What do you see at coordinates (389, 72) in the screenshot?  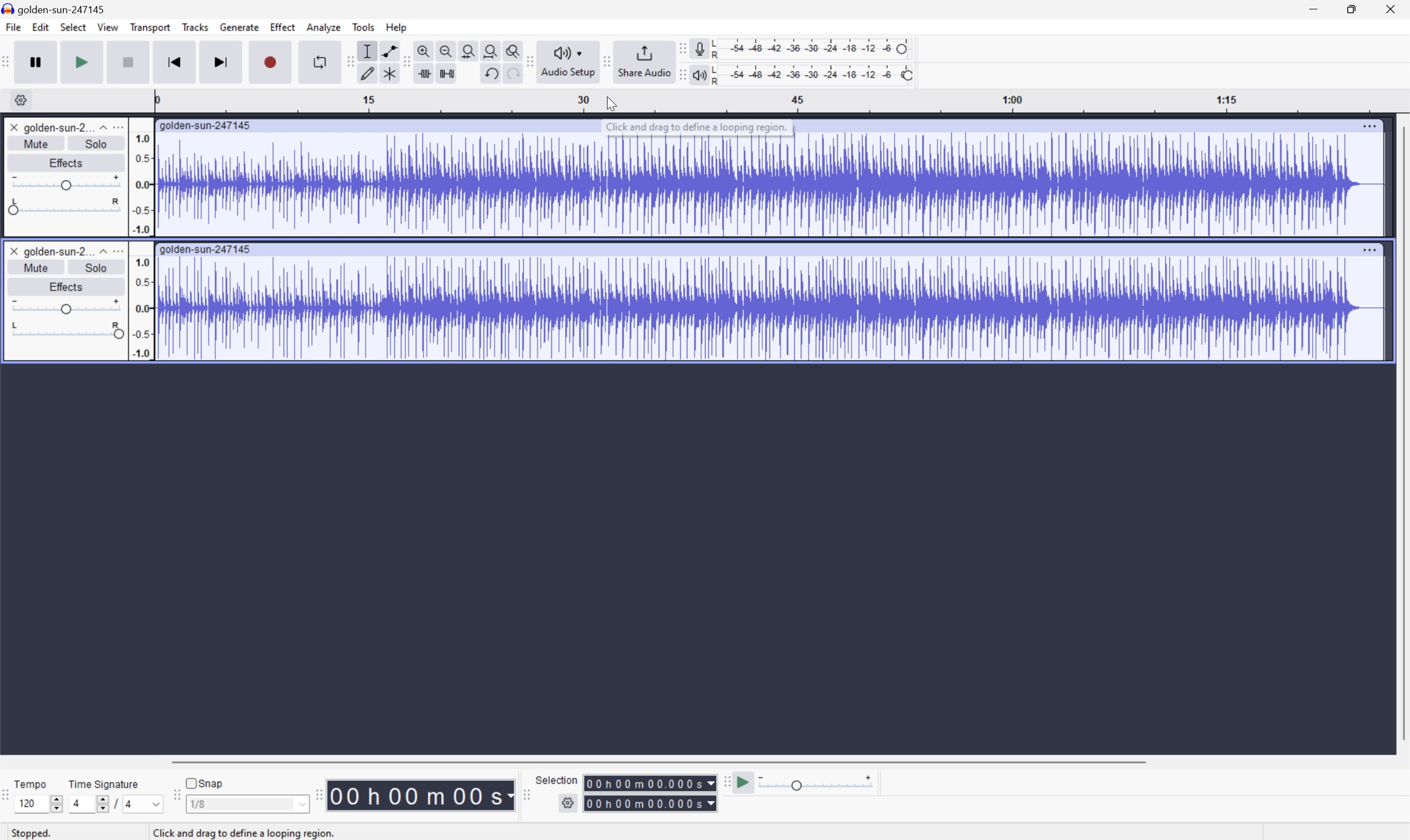 I see `Multi tool` at bounding box center [389, 72].